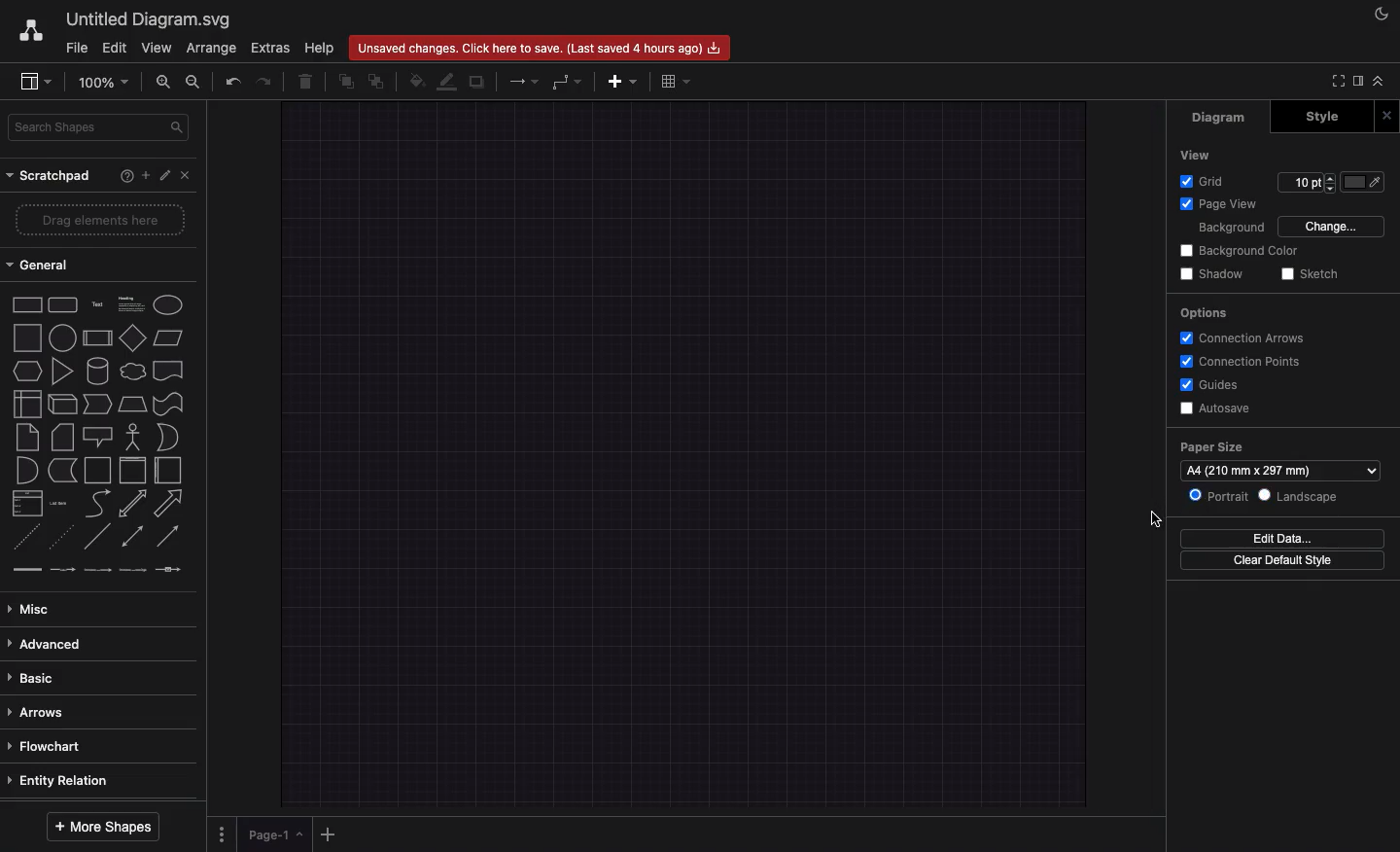 The height and width of the screenshot is (852, 1400). I want to click on Background color, so click(1242, 252).